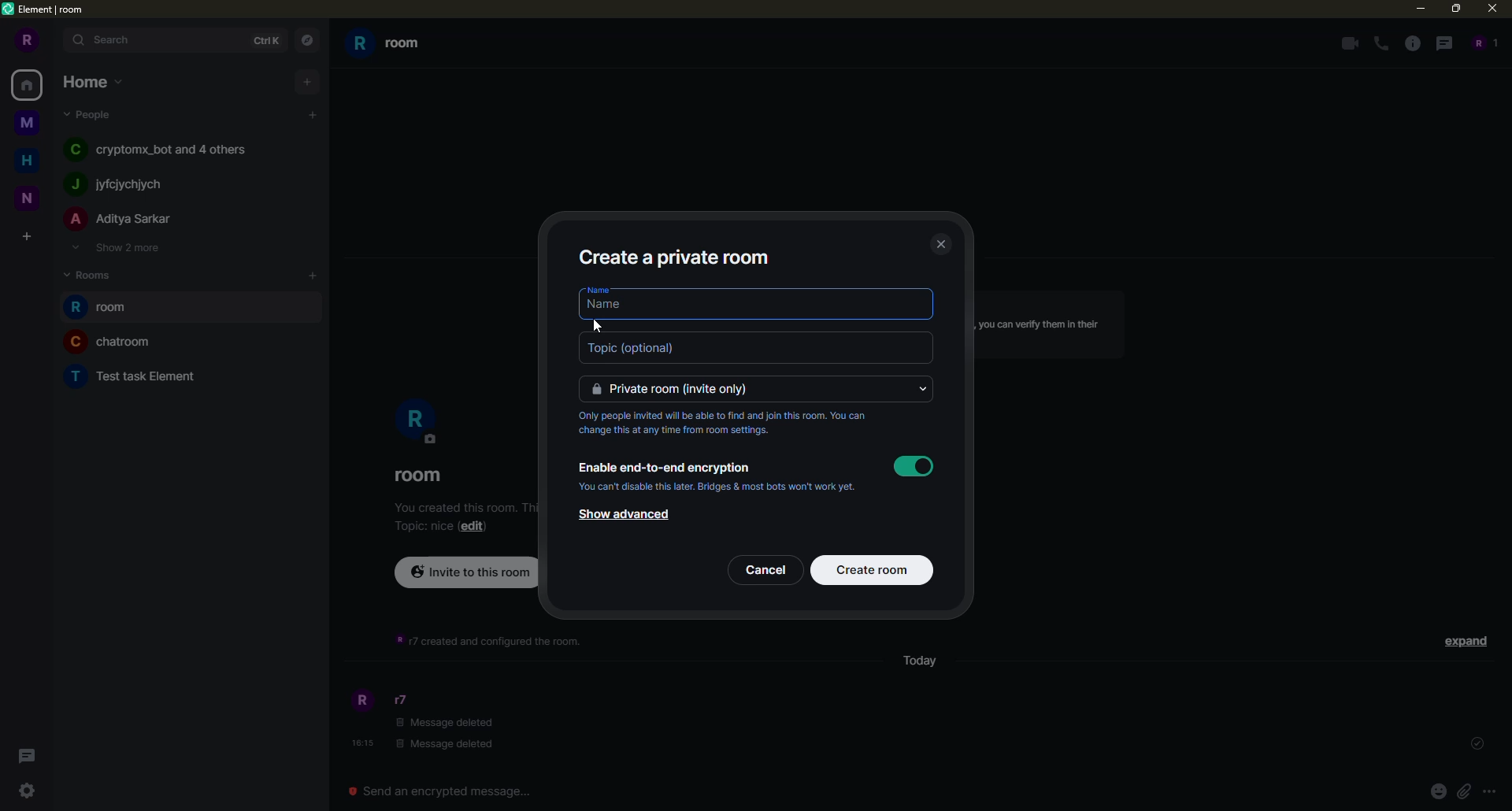  Describe the element at coordinates (27, 86) in the screenshot. I see `home` at that location.